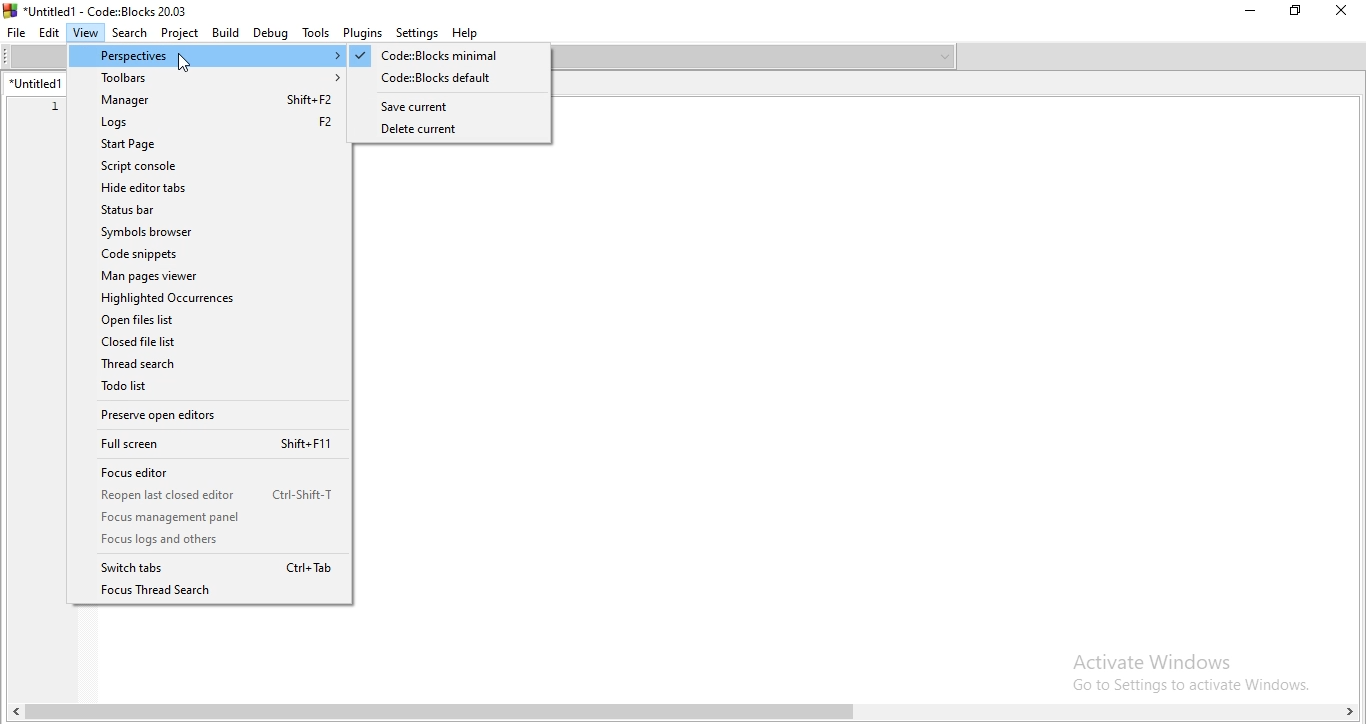 Image resolution: width=1366 pixels, height=724 pixels. Describe the element at coordinates (186, 65) in the screenshot. I see `cursor` at that location.